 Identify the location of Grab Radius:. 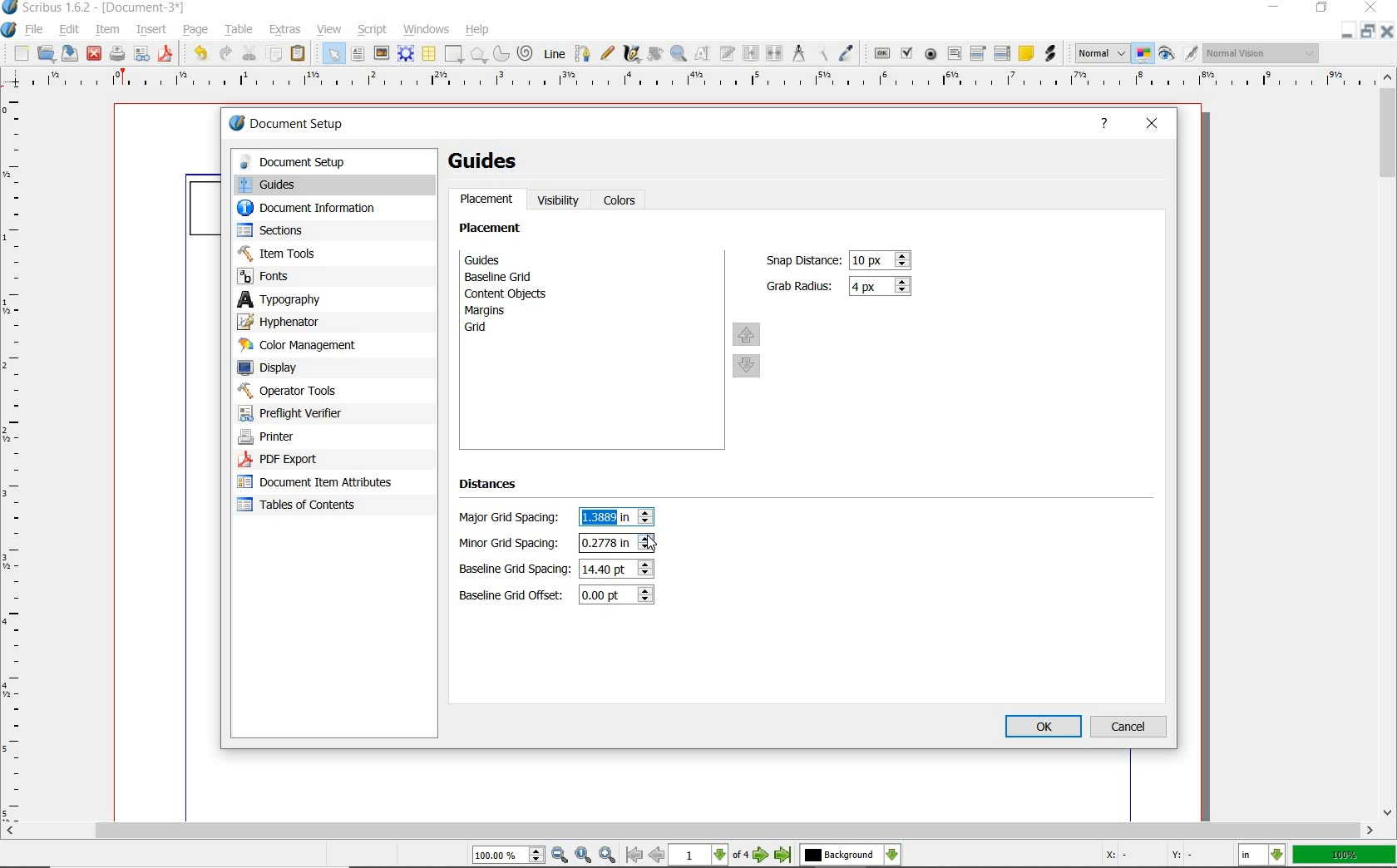
(801, 284).